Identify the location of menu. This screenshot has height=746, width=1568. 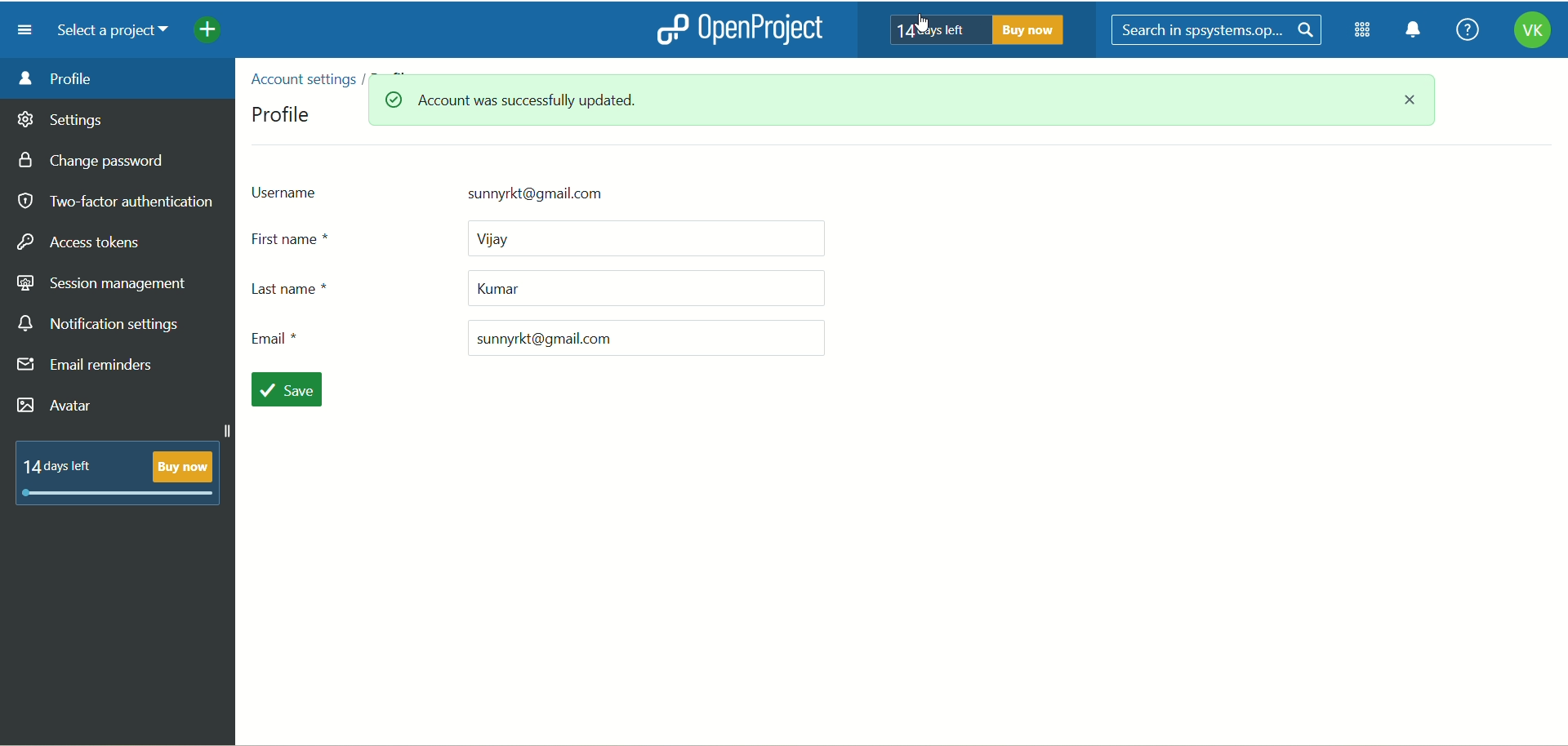
(25, 30).